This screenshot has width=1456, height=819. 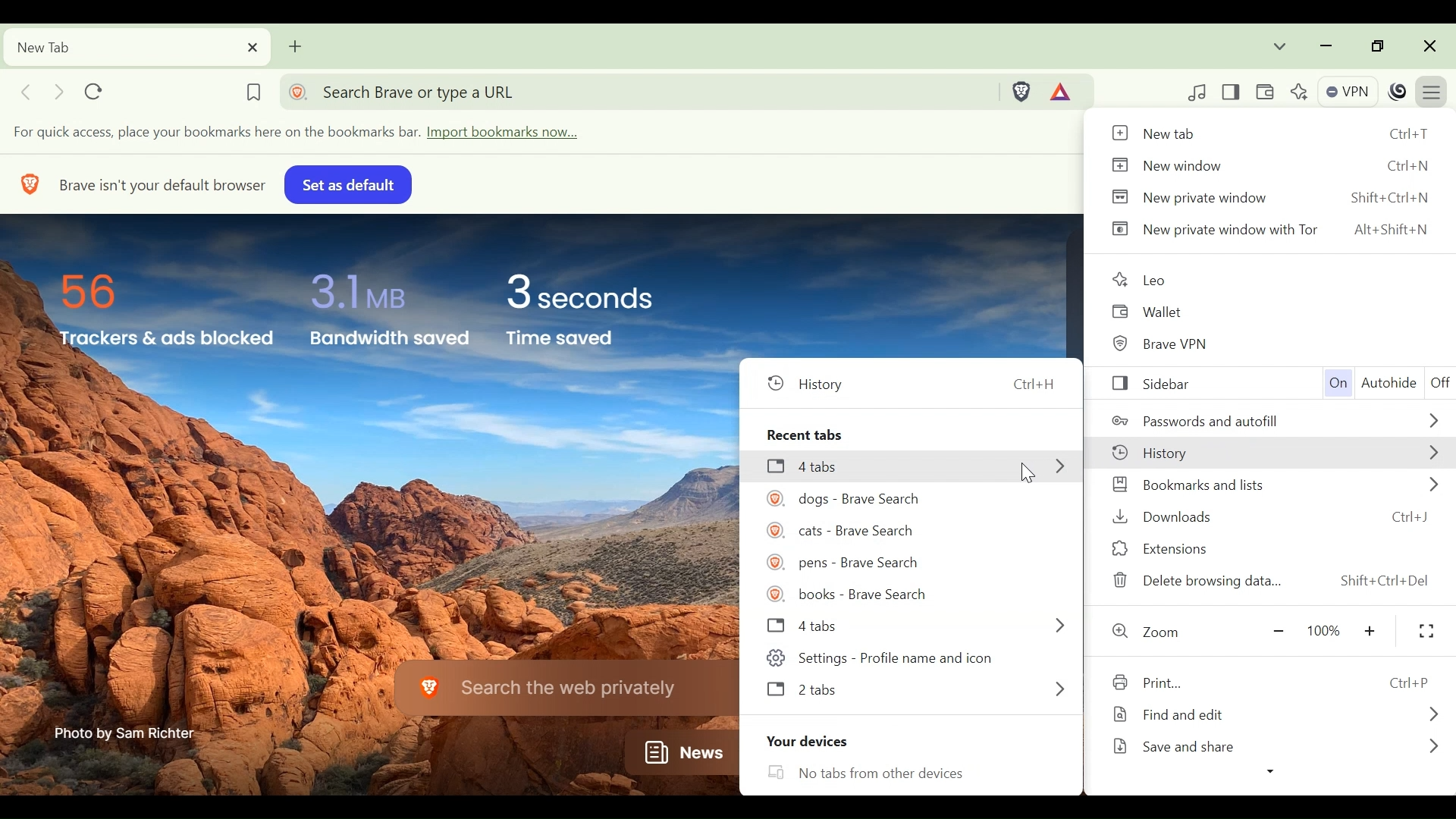 What do you see at coordinates (1180, 384) in the screenshot?
I see ` Sidebar` at bounding box center [1180, 384].